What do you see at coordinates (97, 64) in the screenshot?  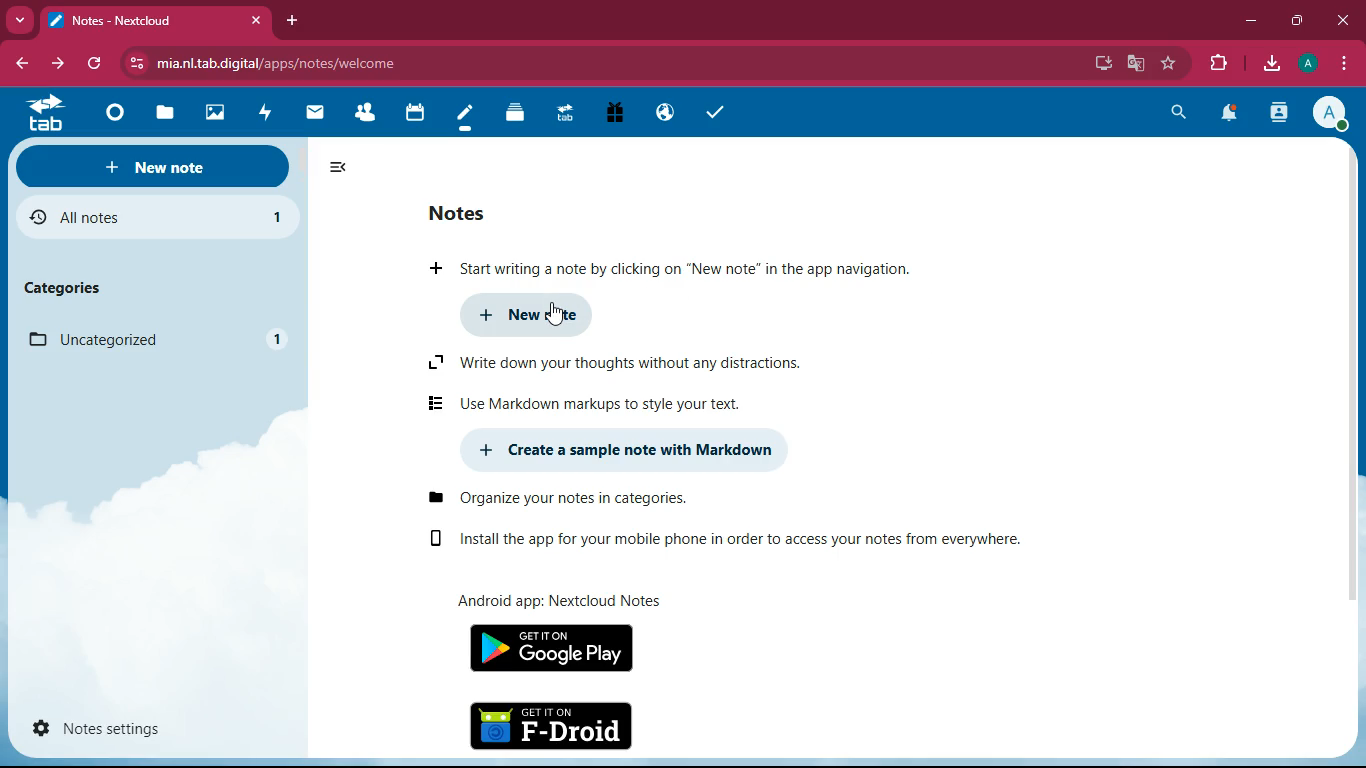 I see `refresh` at bounding box center [97, 64].